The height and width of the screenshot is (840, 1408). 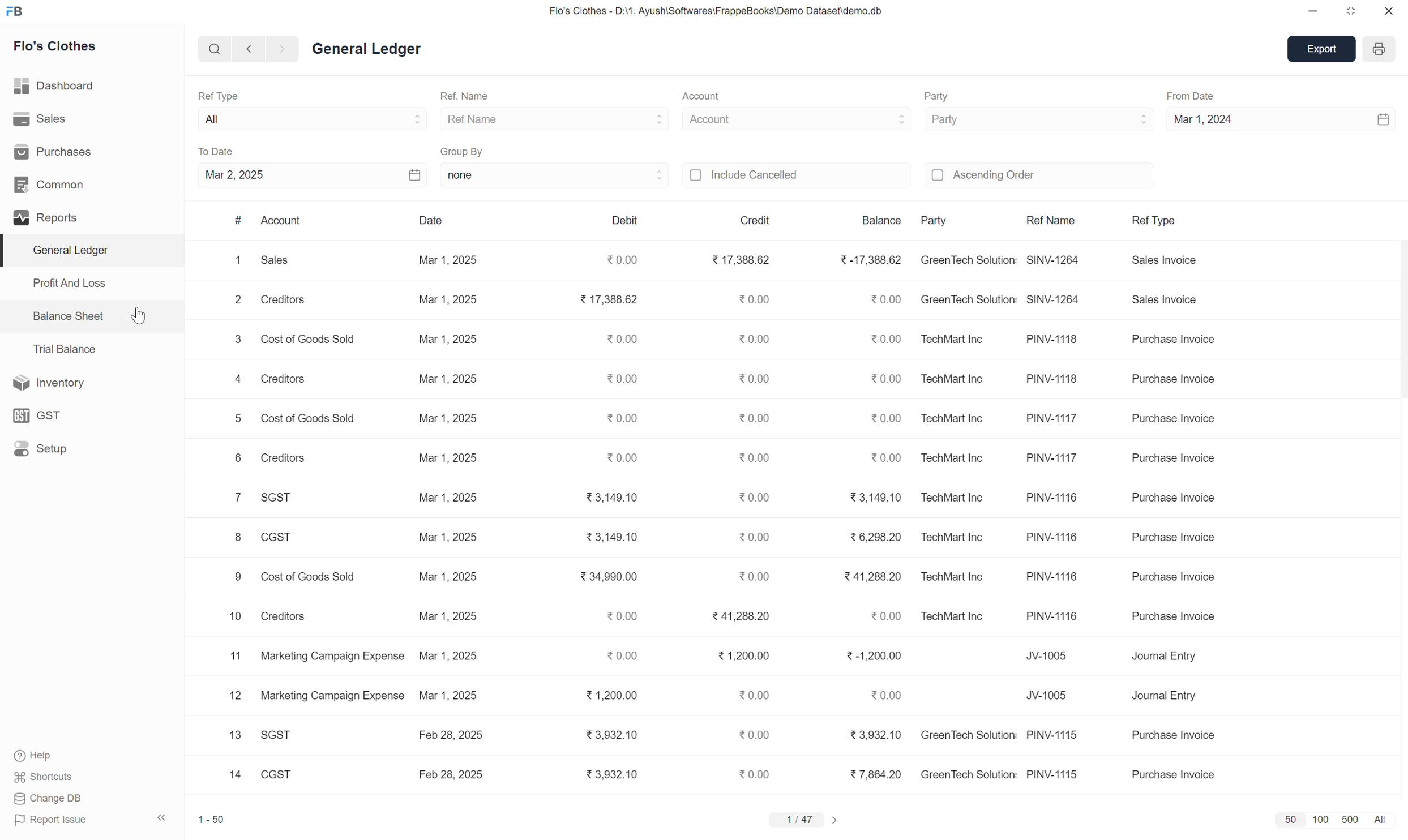 What do you see at coordinates (41, 413) in the screenshot?
I see `GST` at bounding box center [41, 413].